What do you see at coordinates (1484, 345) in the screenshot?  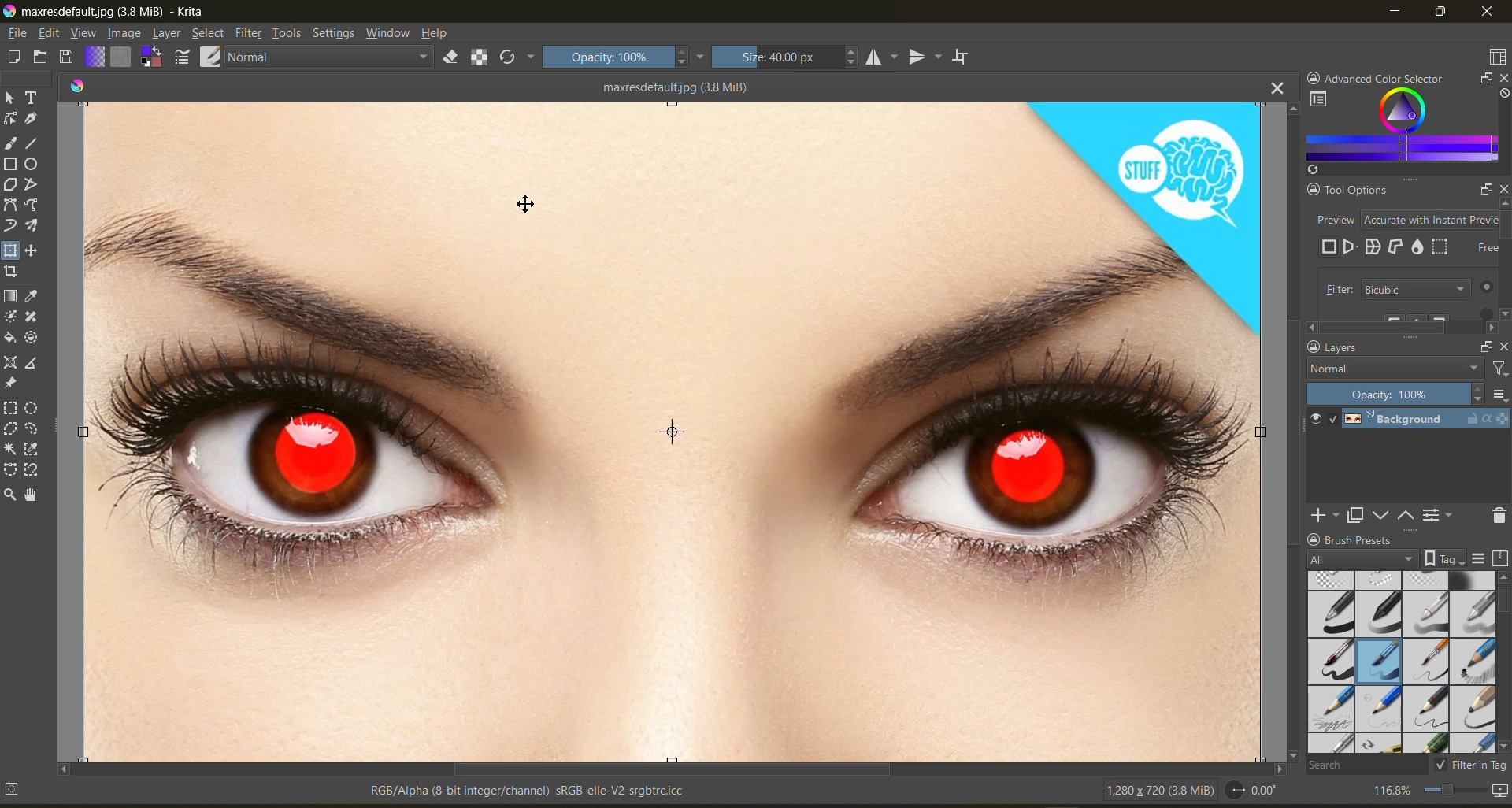 I see `float docker` at bounding box center [1484, 345].